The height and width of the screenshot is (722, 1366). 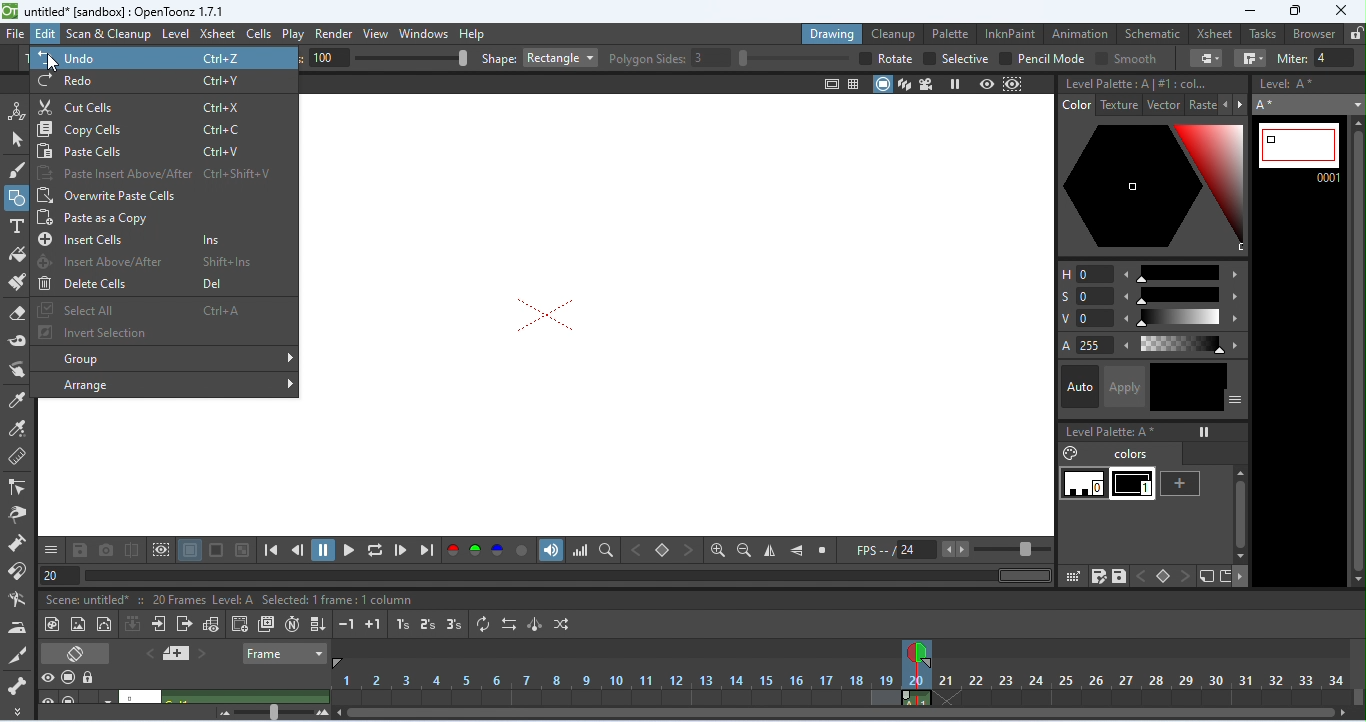 What do you see at coordinates (59, 573) in the screenshot?
I see `frame` at bounding box center [59, 573].